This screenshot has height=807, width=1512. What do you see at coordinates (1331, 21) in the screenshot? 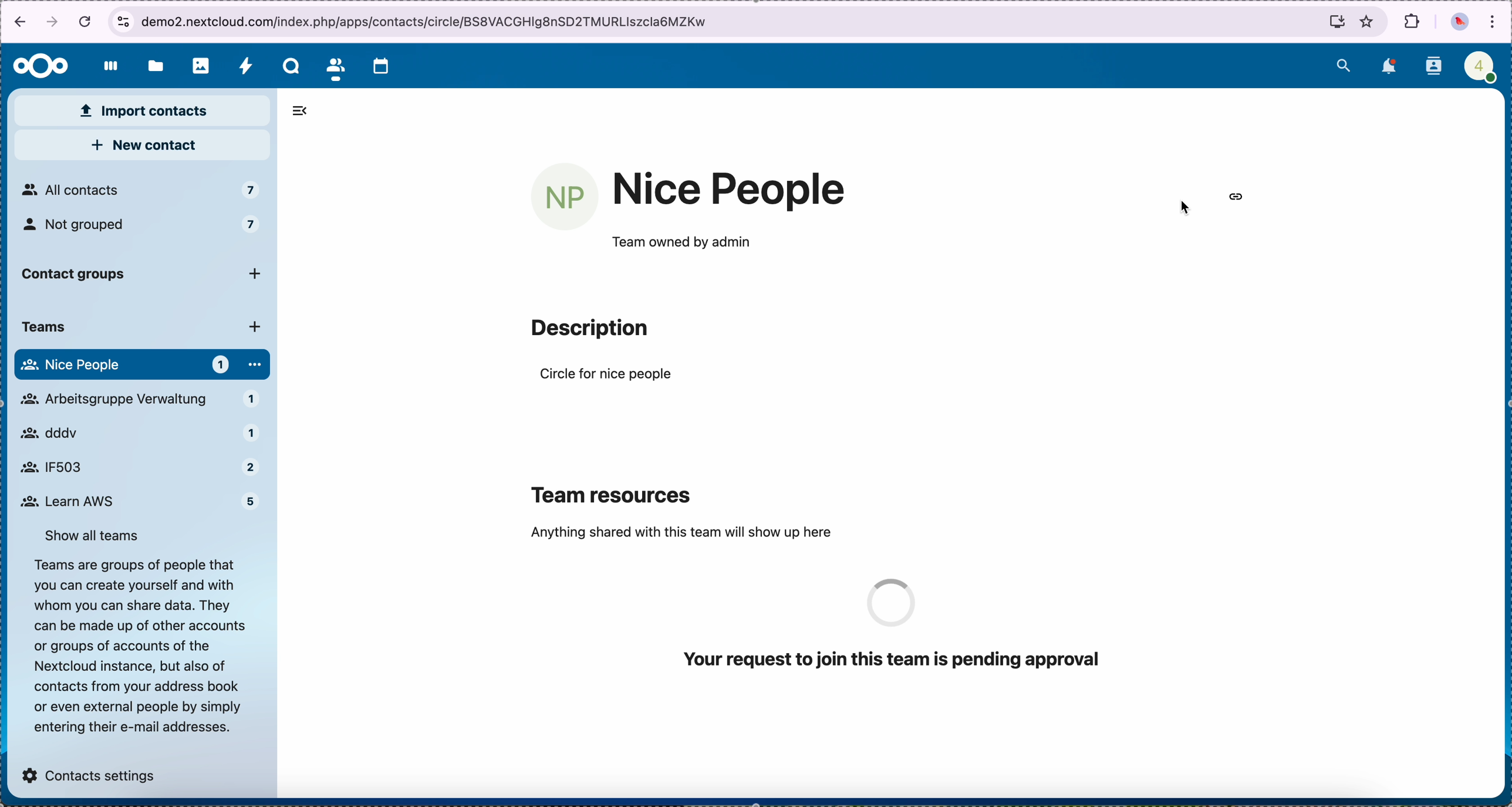
I see `install Nextcloud` at bounding box center [1331, 21].